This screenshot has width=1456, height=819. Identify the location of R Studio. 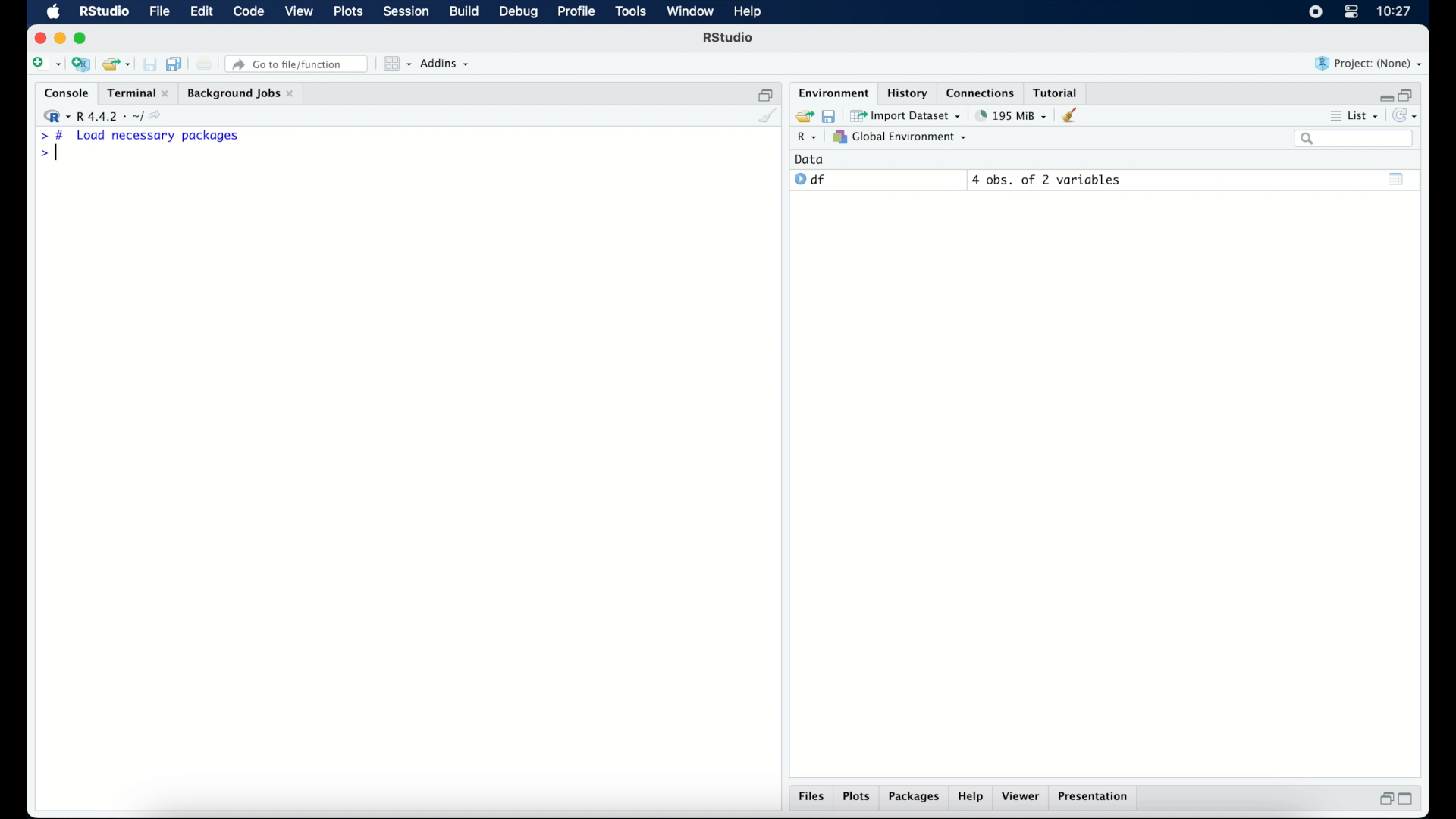
(104, 12).